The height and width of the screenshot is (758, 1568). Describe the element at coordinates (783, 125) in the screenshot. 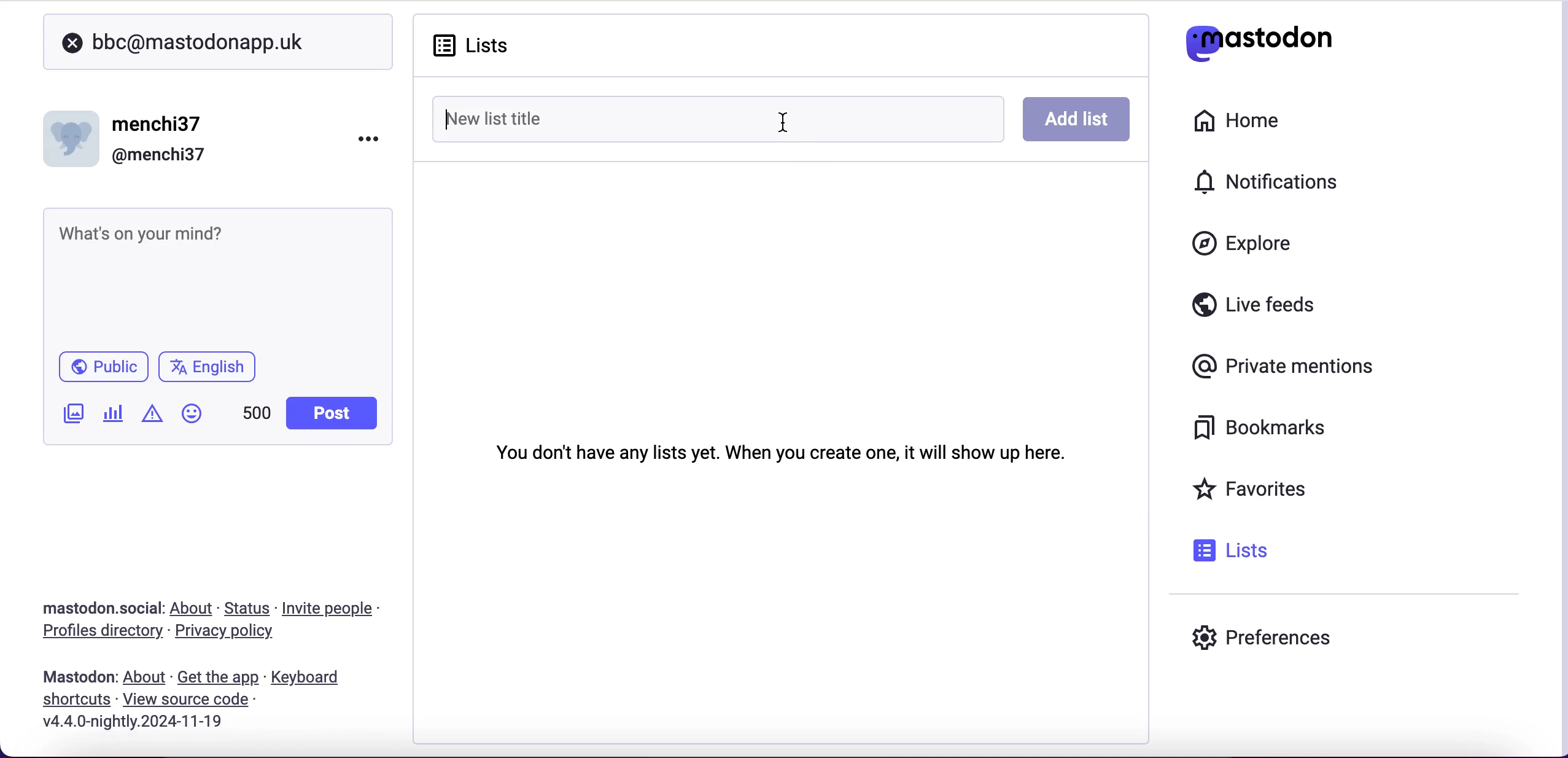

I see `cursor` at that location.